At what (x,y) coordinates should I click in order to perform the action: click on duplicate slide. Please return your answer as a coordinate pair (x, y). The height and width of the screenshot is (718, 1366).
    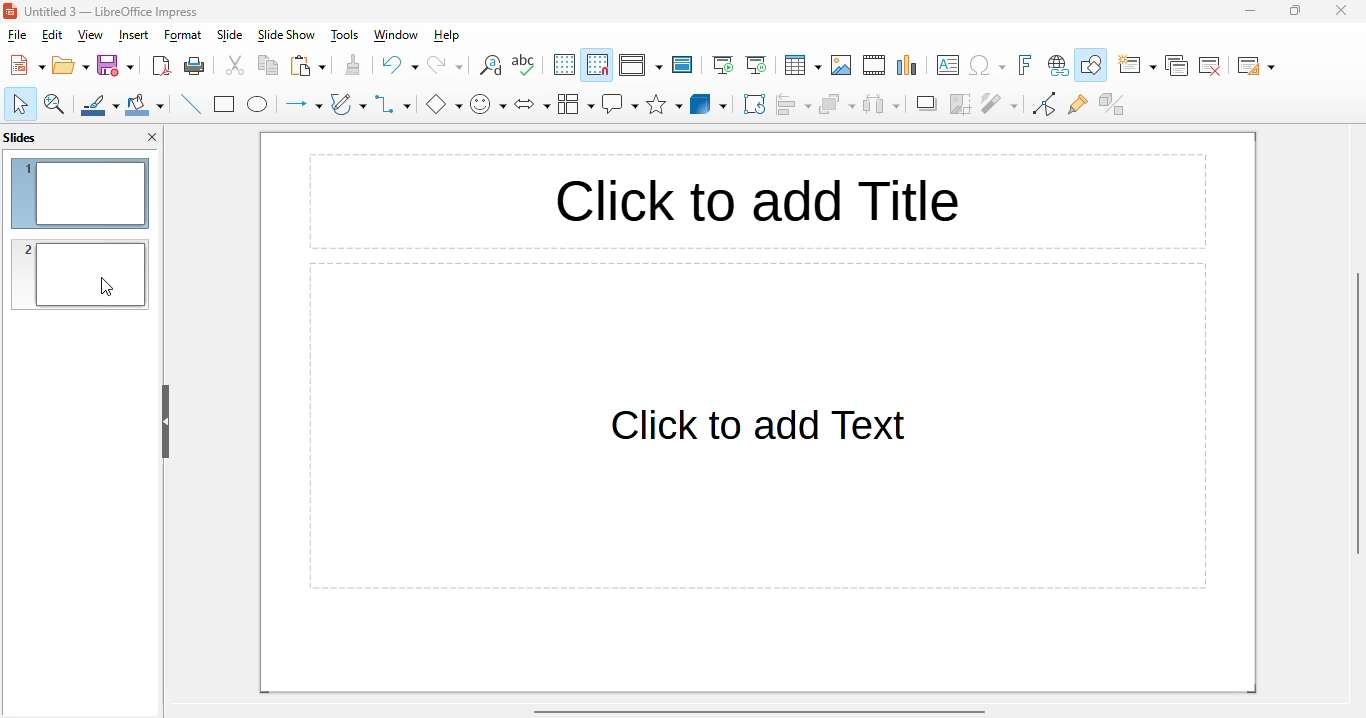
    Looking at the image, I should click on (1176, 66).